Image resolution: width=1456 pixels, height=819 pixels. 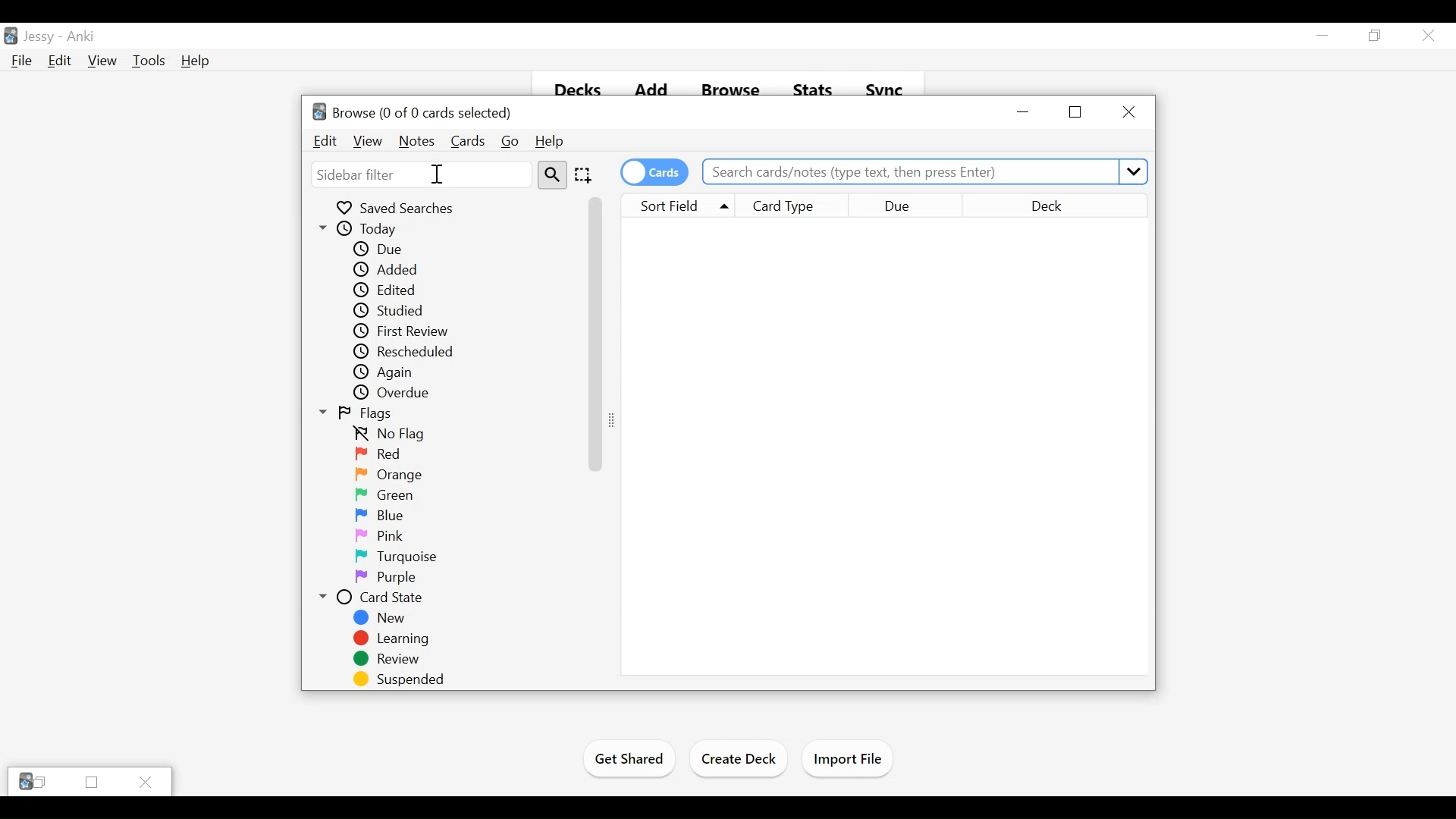 I want to click on Go, so click(x=509, y=142).